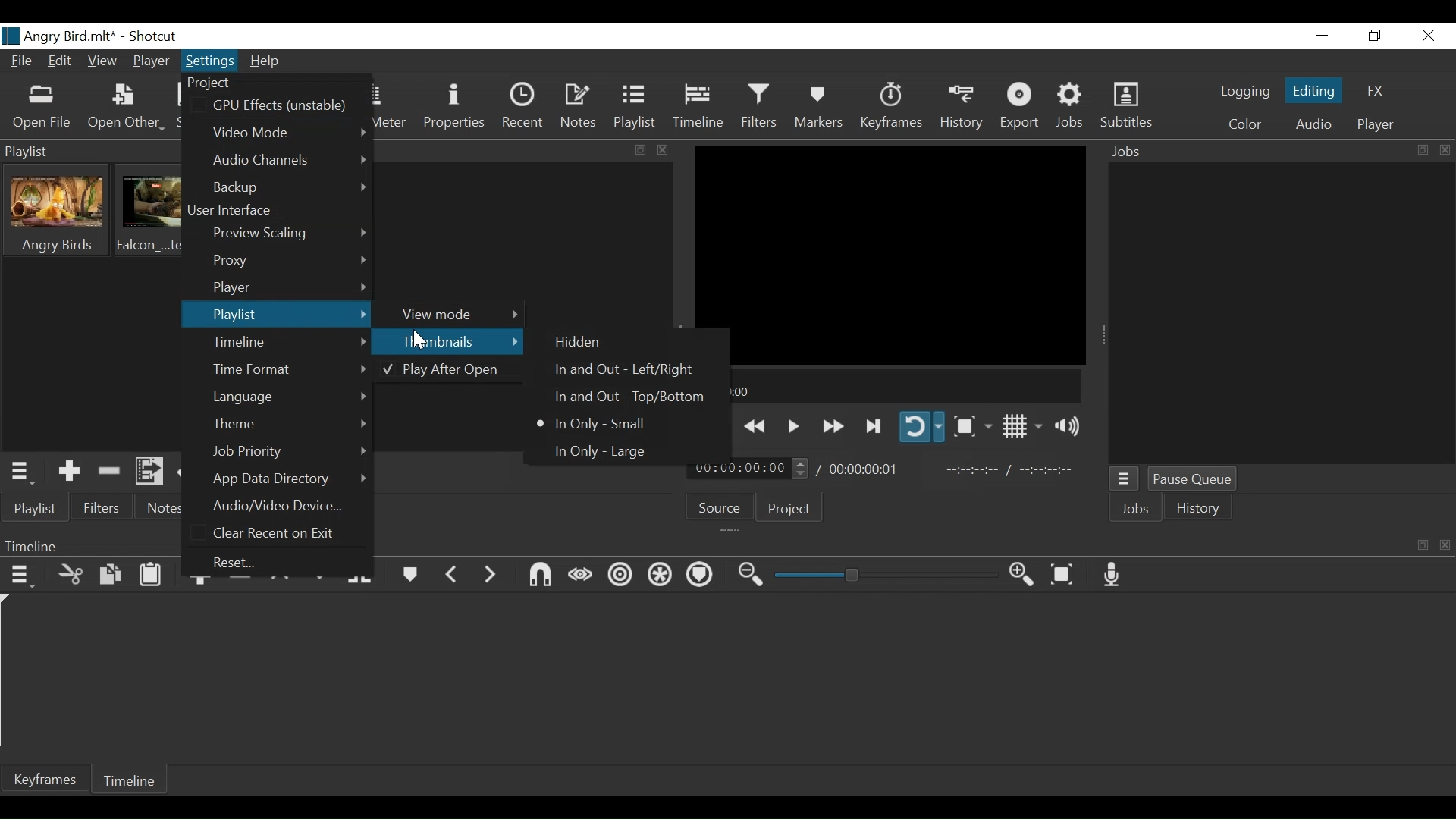  What do you see at coordinates (388, 108) in the screenshot?
I see `Peak Meter` at bounding box center [388, 108].